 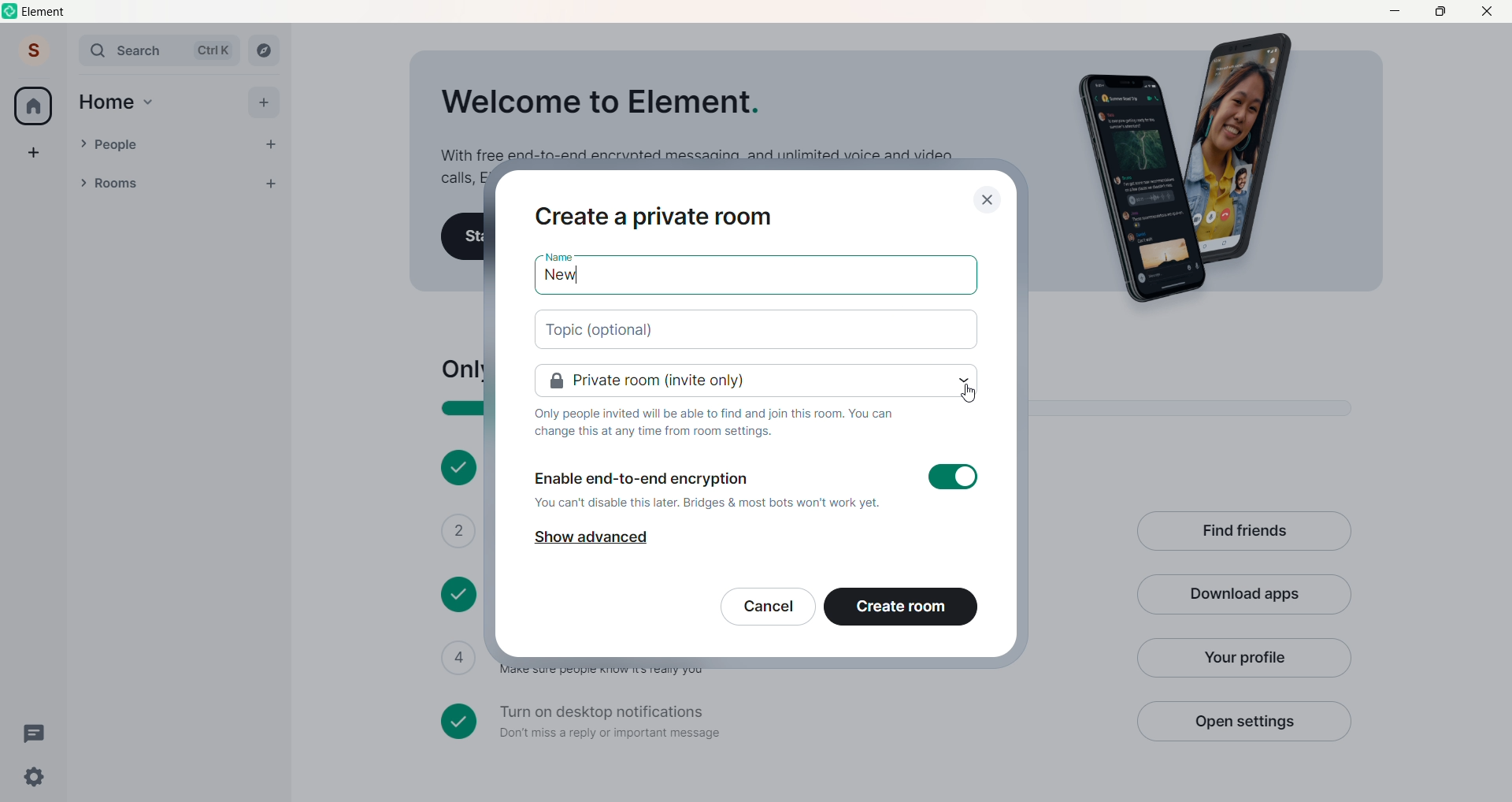 I want to click on Only people invited will be able to find and join this room. You can
change this at any time from room settings., so click(x=715, y=422).